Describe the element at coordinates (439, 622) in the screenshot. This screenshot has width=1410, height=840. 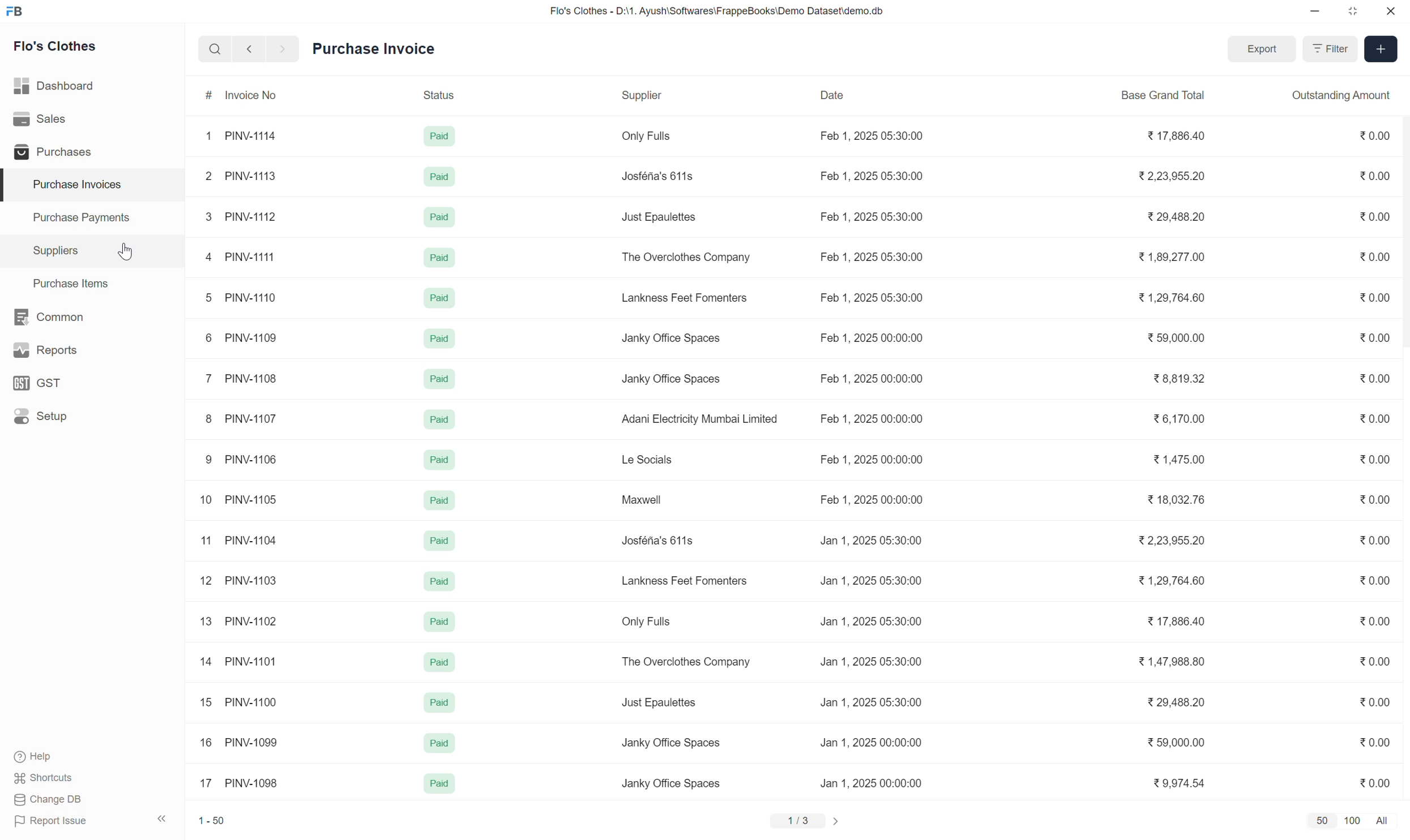
I see `Paid` at that location.